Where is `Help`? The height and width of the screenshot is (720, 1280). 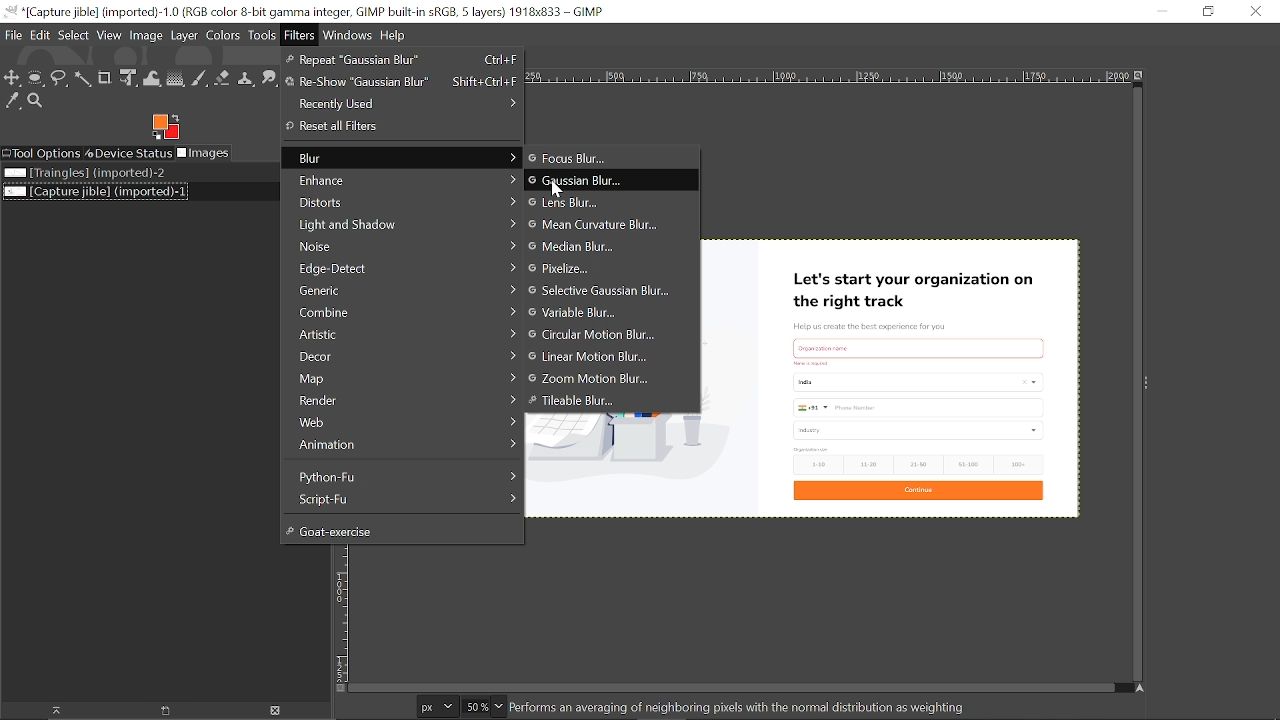
Help is located at coordinates (394, 35).